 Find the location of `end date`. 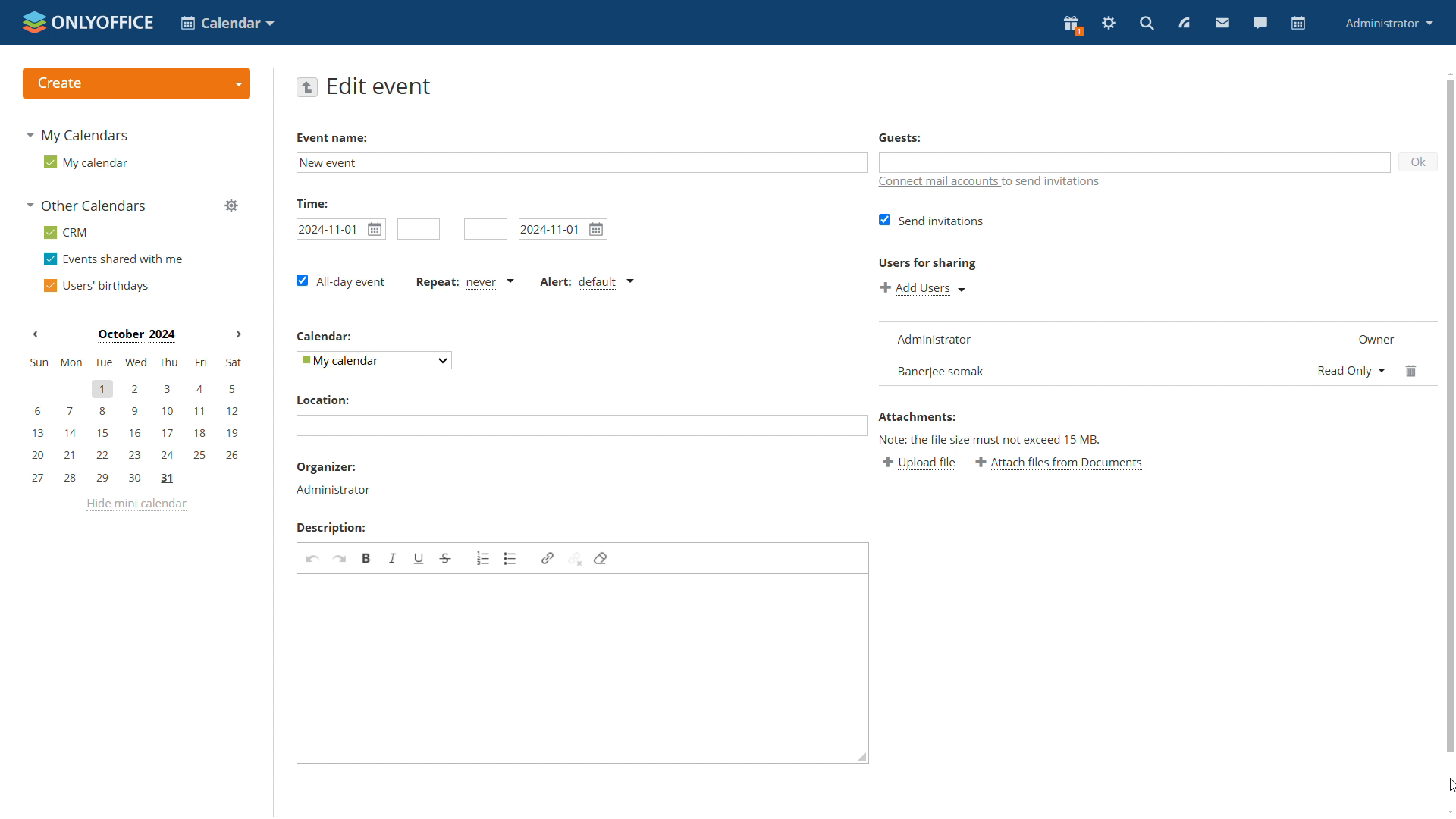

end date is located at coordinates (561, 231).